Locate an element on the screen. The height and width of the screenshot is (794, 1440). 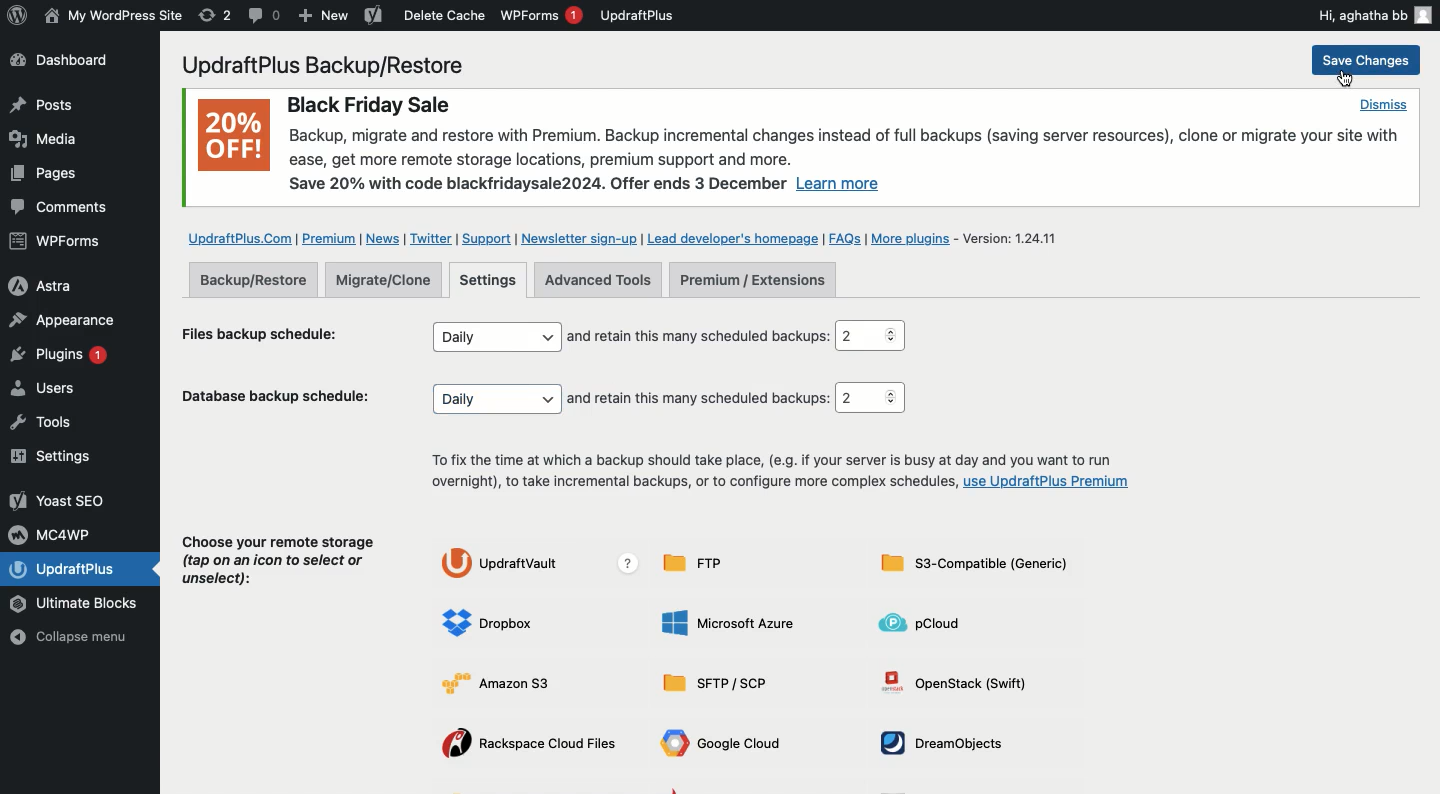
UpdraftPlus Backup/Restore is located at coordinates (335, 65).